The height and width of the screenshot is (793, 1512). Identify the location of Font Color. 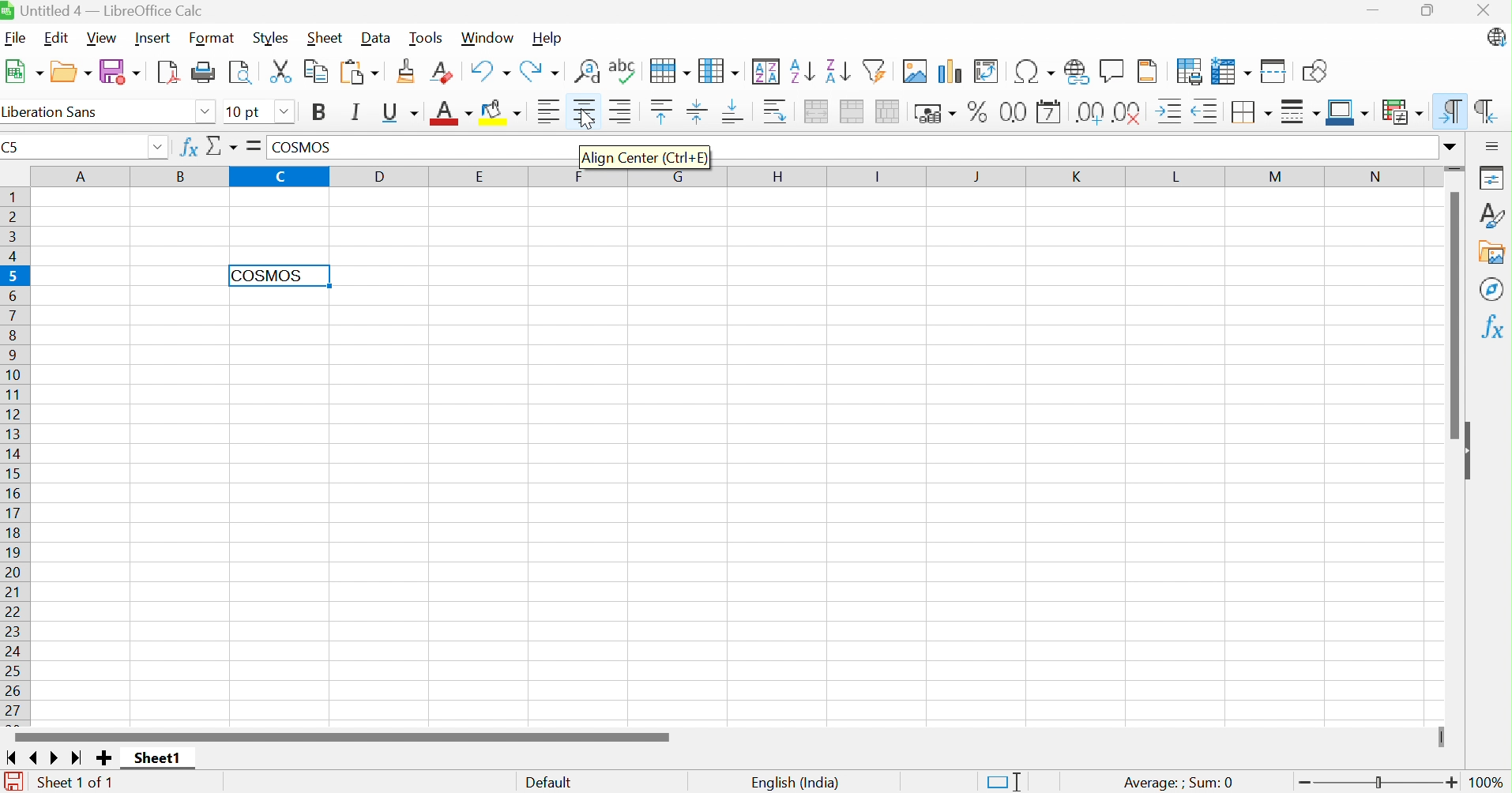
(453, 112).